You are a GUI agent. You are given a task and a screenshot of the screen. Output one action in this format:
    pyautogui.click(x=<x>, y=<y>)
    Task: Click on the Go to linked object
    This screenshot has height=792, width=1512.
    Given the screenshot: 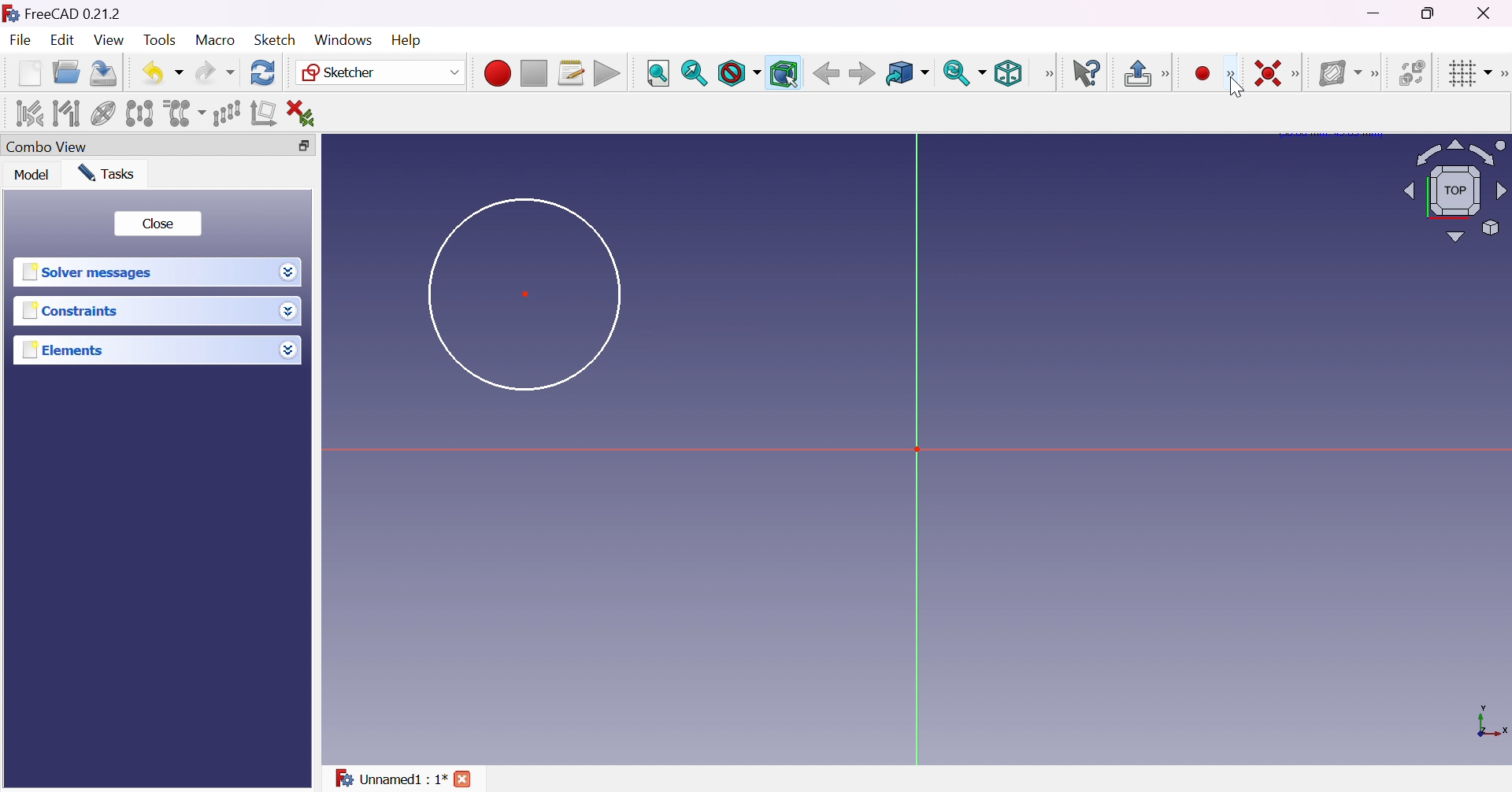 What is the action you would take?
    pyautogui.click(x=906, y=74)
    